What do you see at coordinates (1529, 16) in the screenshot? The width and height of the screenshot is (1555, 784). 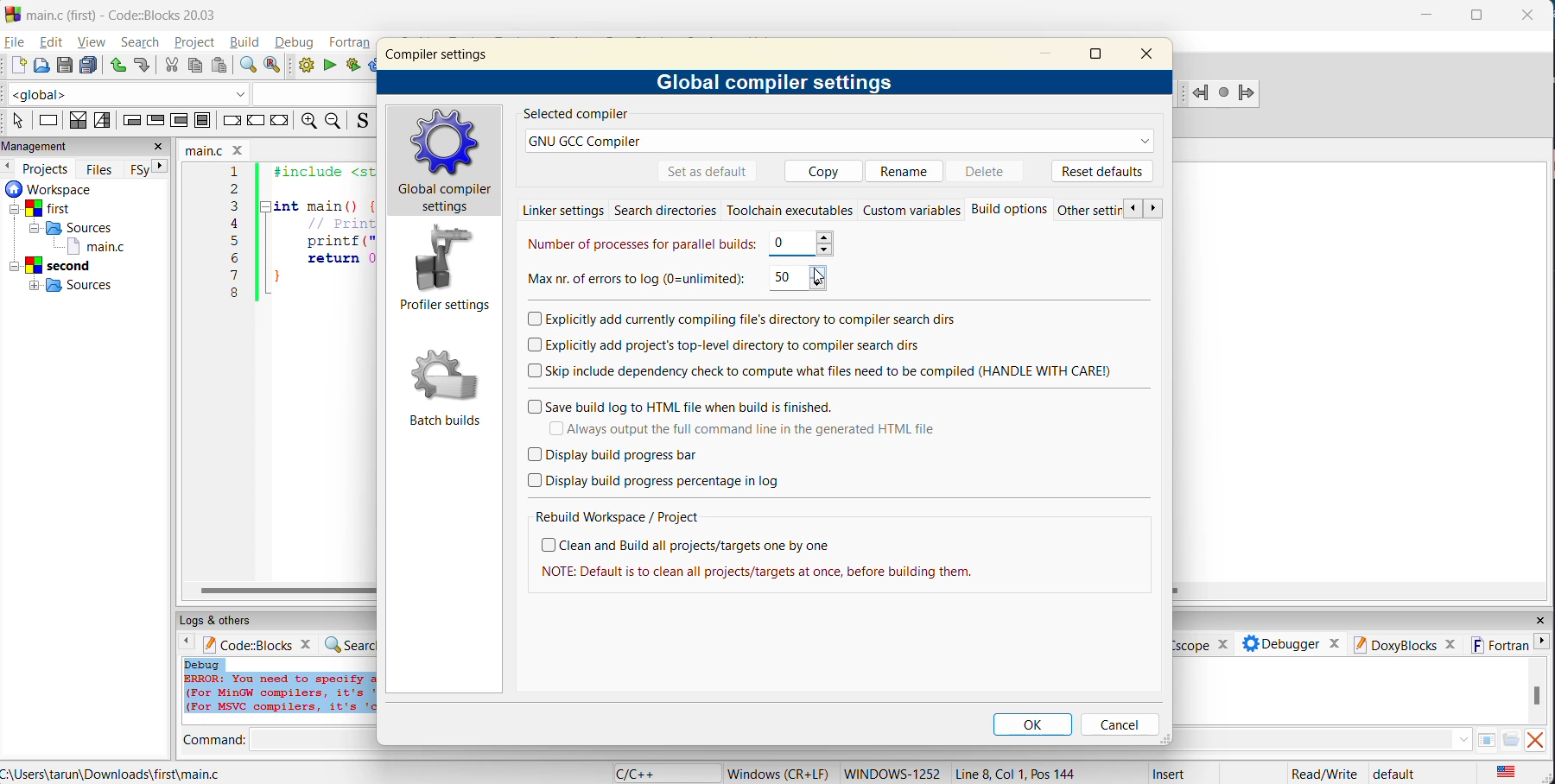 I see `close` at bounding box center [1529, 16].